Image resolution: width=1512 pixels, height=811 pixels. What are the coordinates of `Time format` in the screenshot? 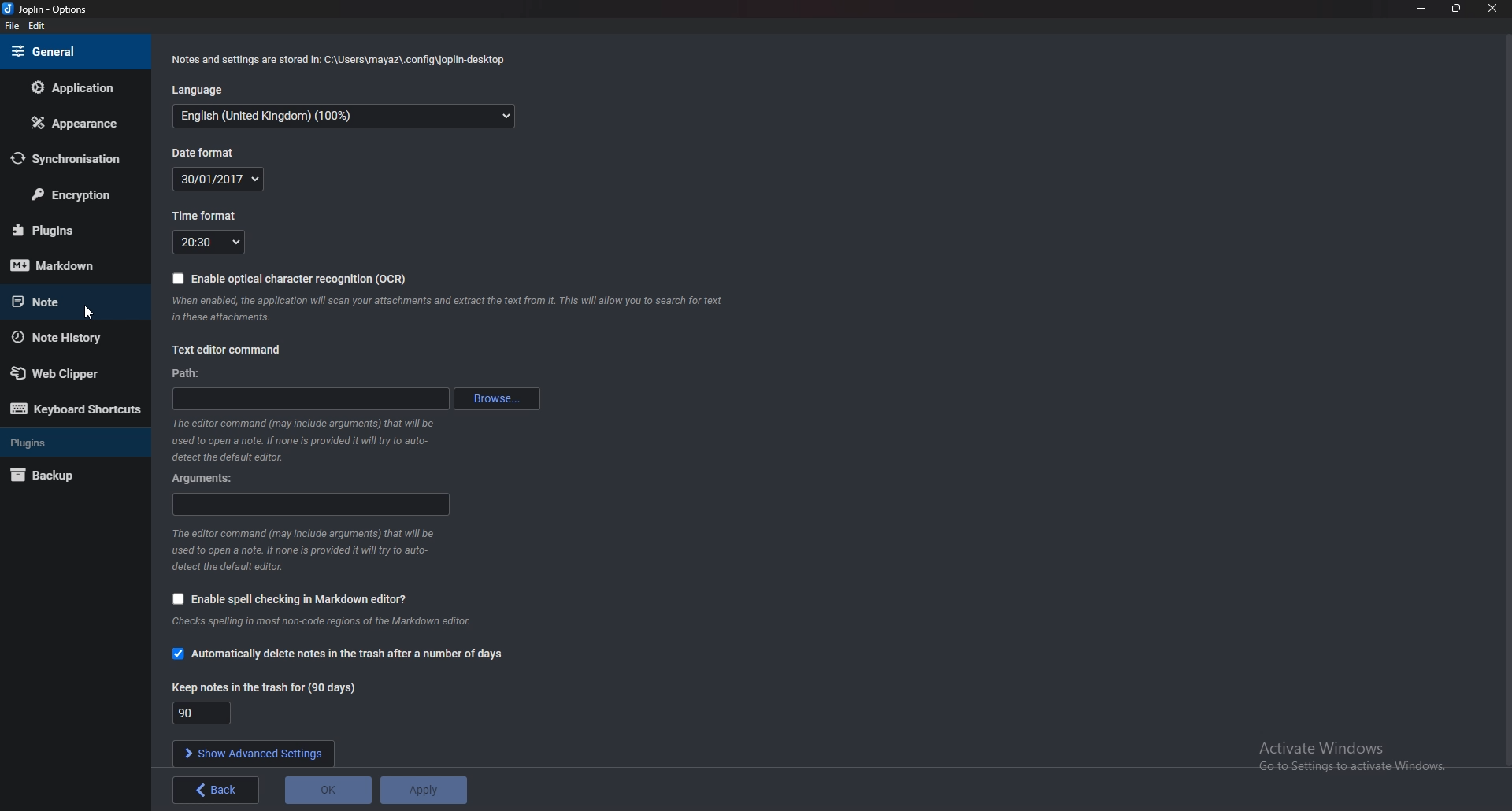 It's located at (207, 215).